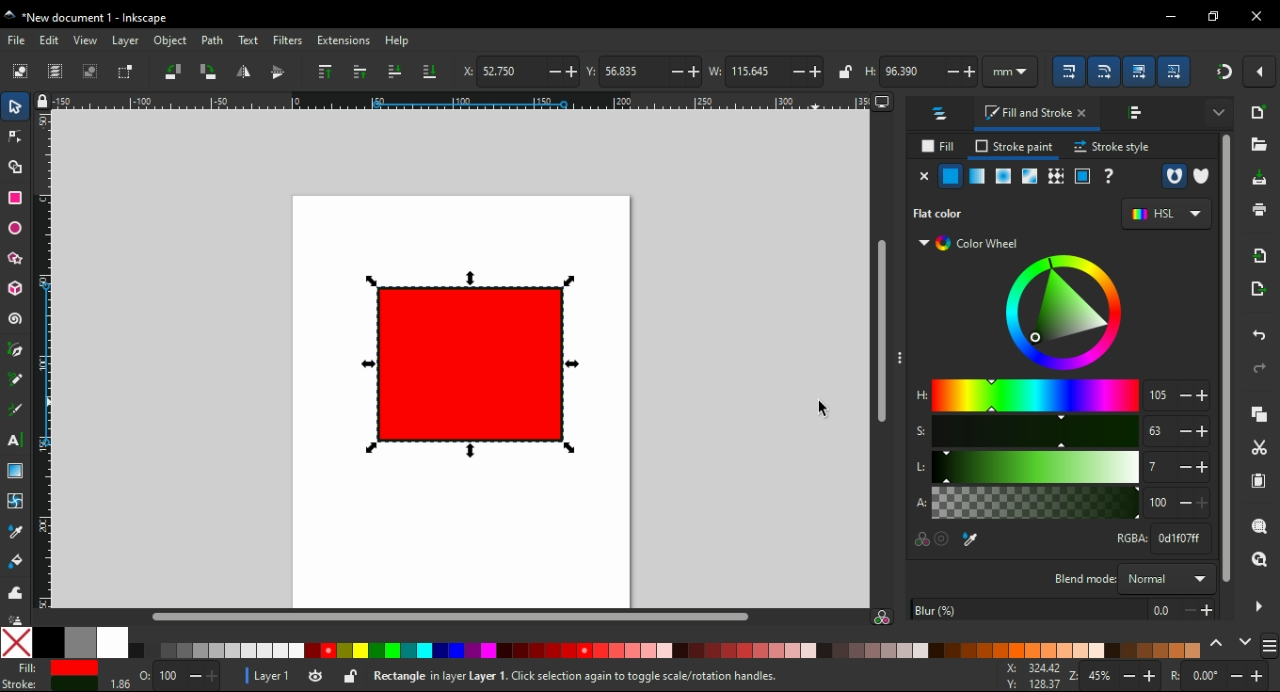 Image resolution: width=1280 pixels, height=692 pixels. What do you see at coordinates (1204, 675) in the screenshot?
I see `0` at bounding box center [1204, 675].